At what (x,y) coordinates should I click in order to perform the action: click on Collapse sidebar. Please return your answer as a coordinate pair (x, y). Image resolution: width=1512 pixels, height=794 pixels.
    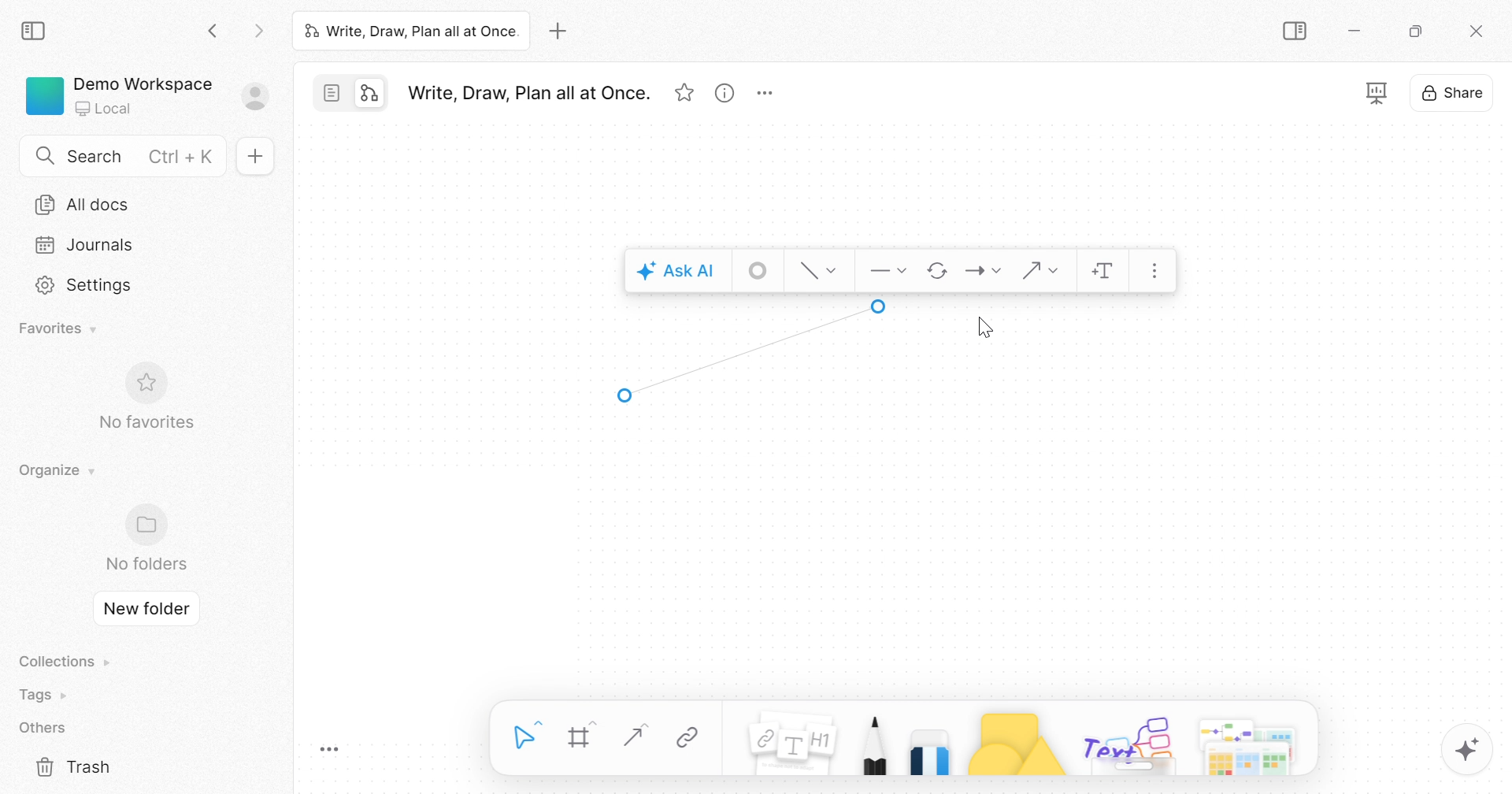
    Looking at the image, I should click on (1298, 32).